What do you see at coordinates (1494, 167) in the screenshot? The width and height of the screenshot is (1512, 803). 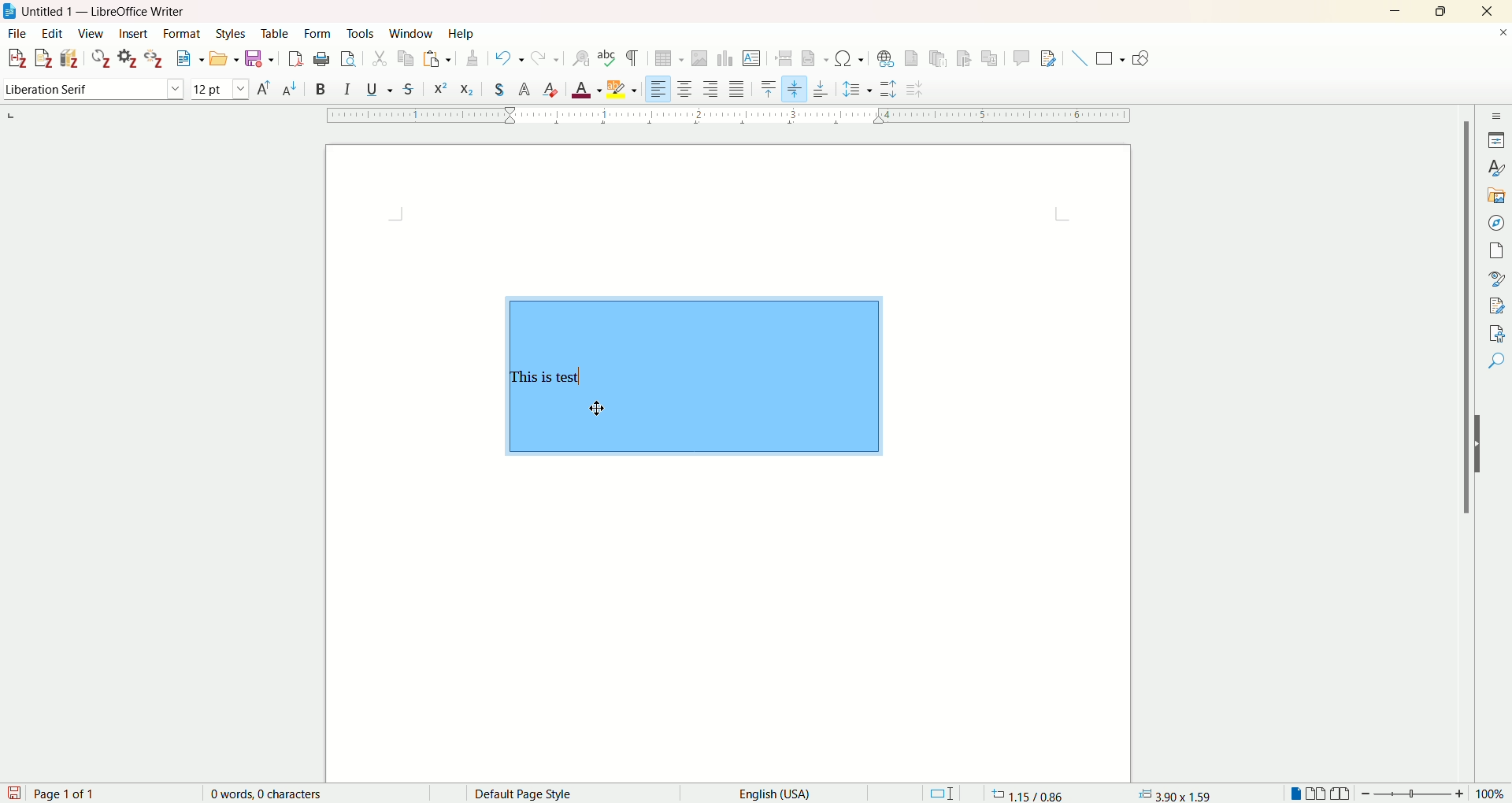 I see `style` at bounding box center [1494, 167].